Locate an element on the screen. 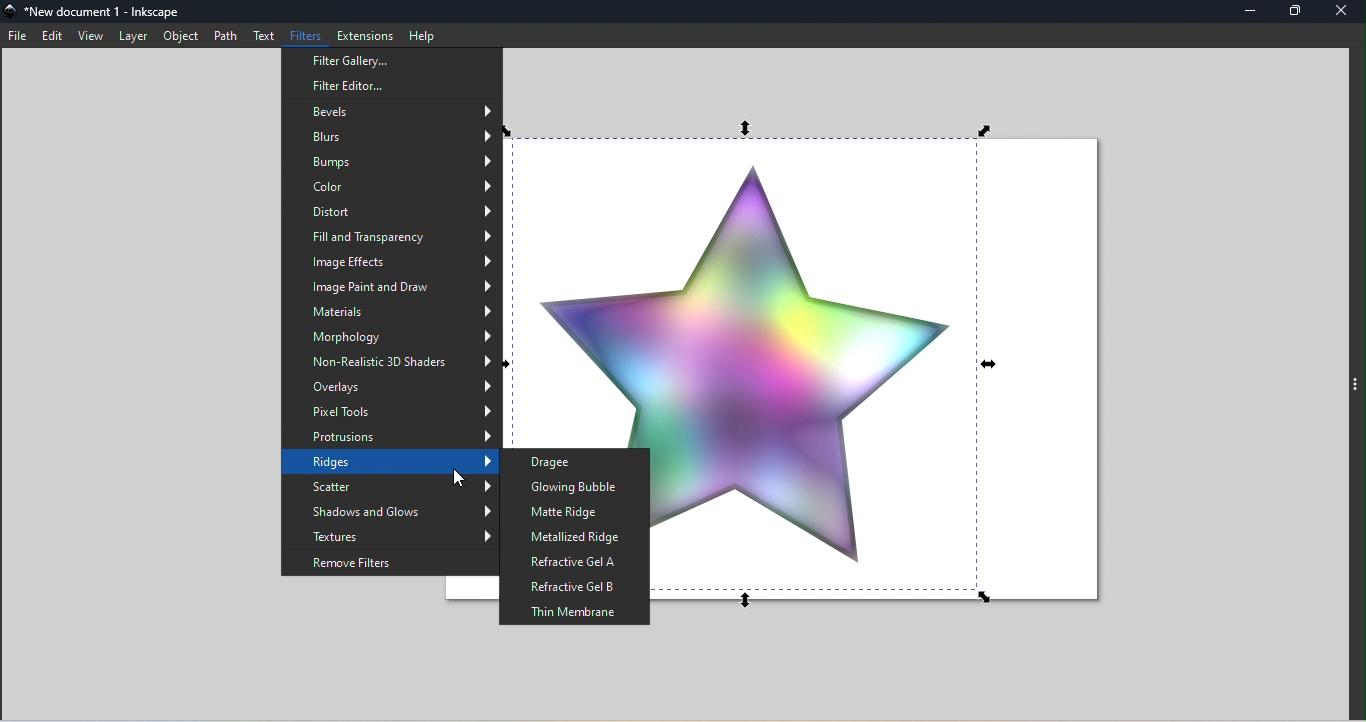 Image resolution: width=1366 pixels, height=722 pixels. Remove Filters is located at coordinates (388, 563).